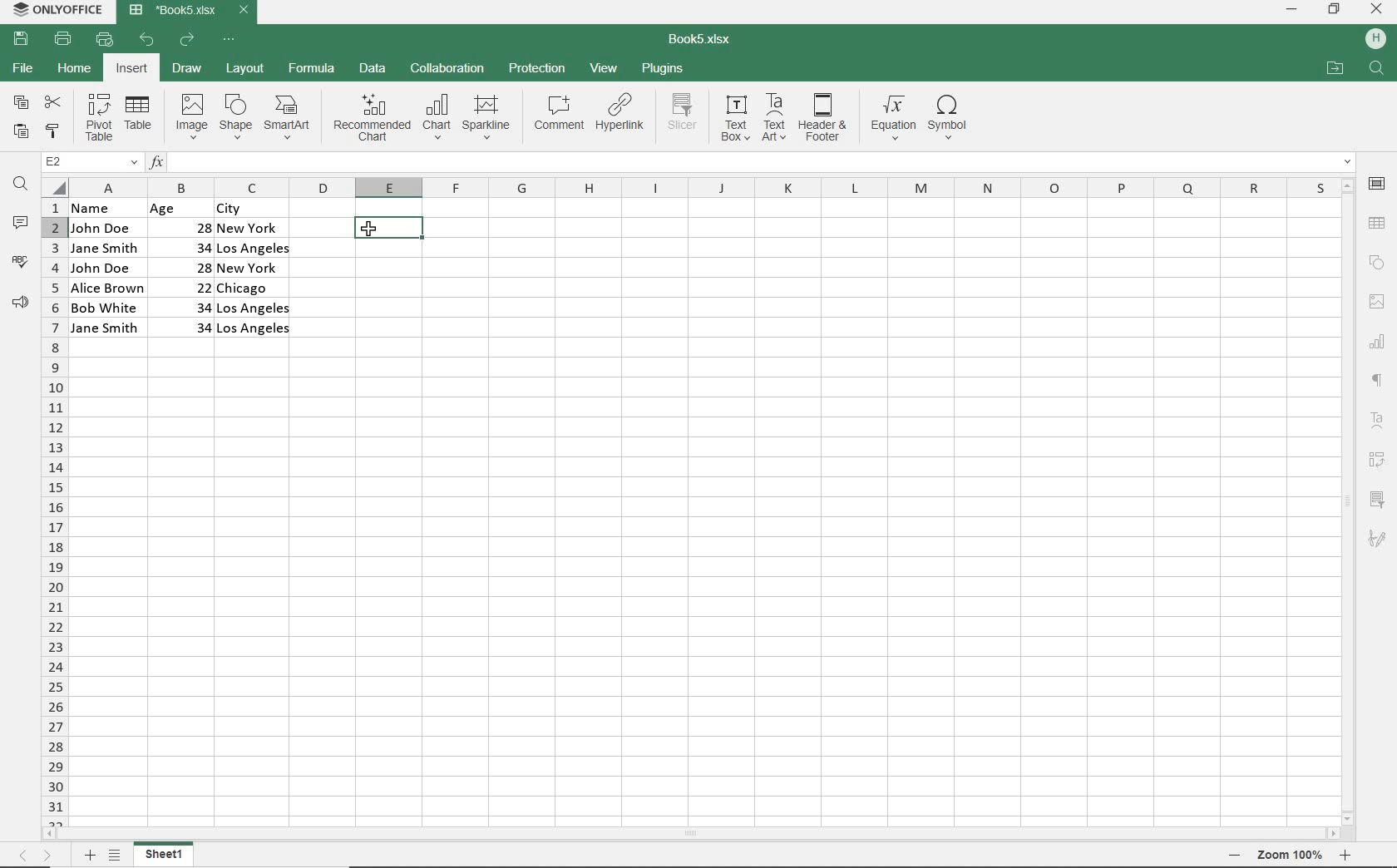 This screenshot has height=868, width=1397. What do you see at coordinates (187, 247) in the screenshot?
I see `34` at bounding box center [187, 247].